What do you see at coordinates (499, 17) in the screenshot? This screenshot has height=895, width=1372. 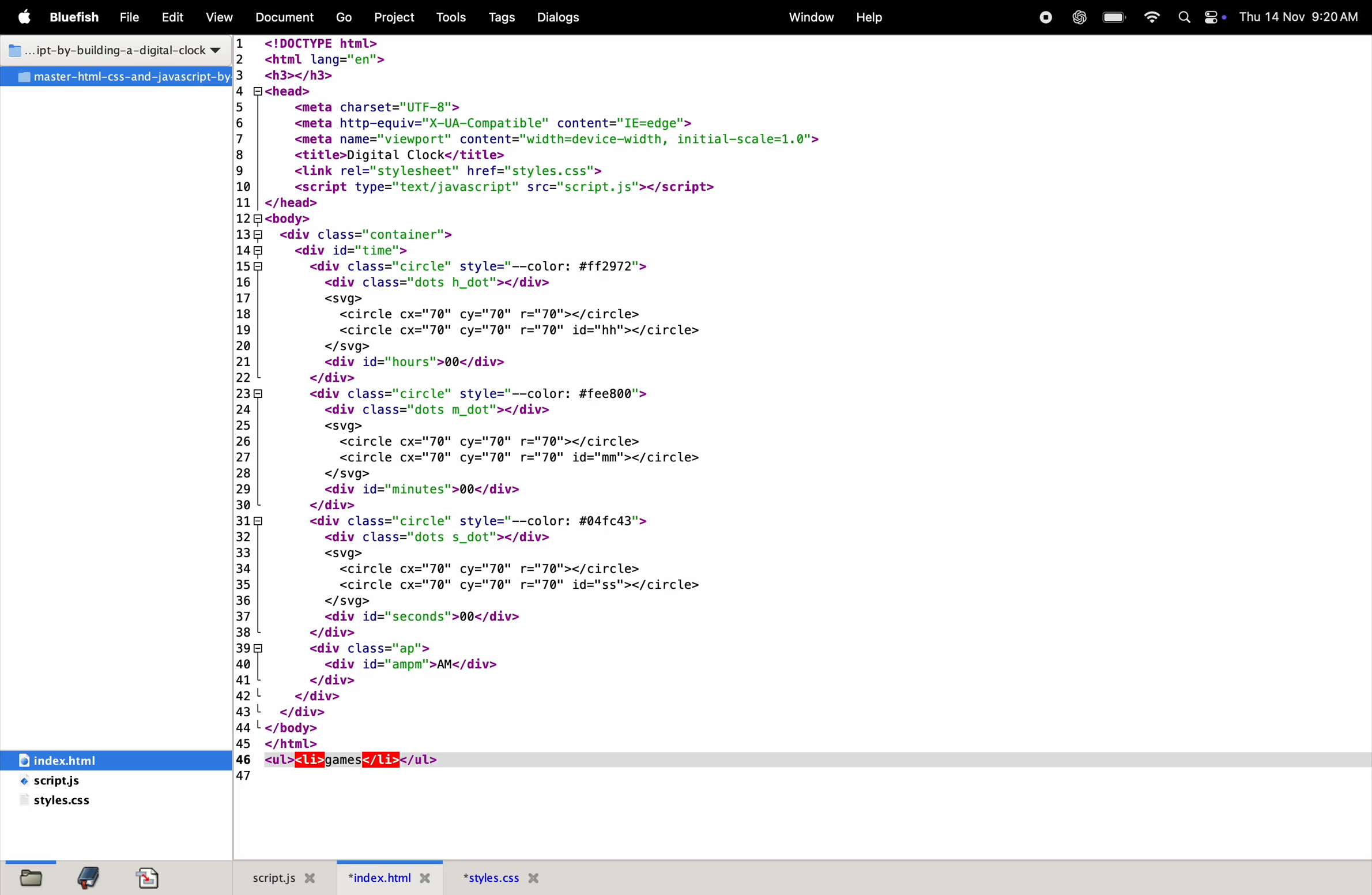 I see `Tags` at bounding box center [499, 17].